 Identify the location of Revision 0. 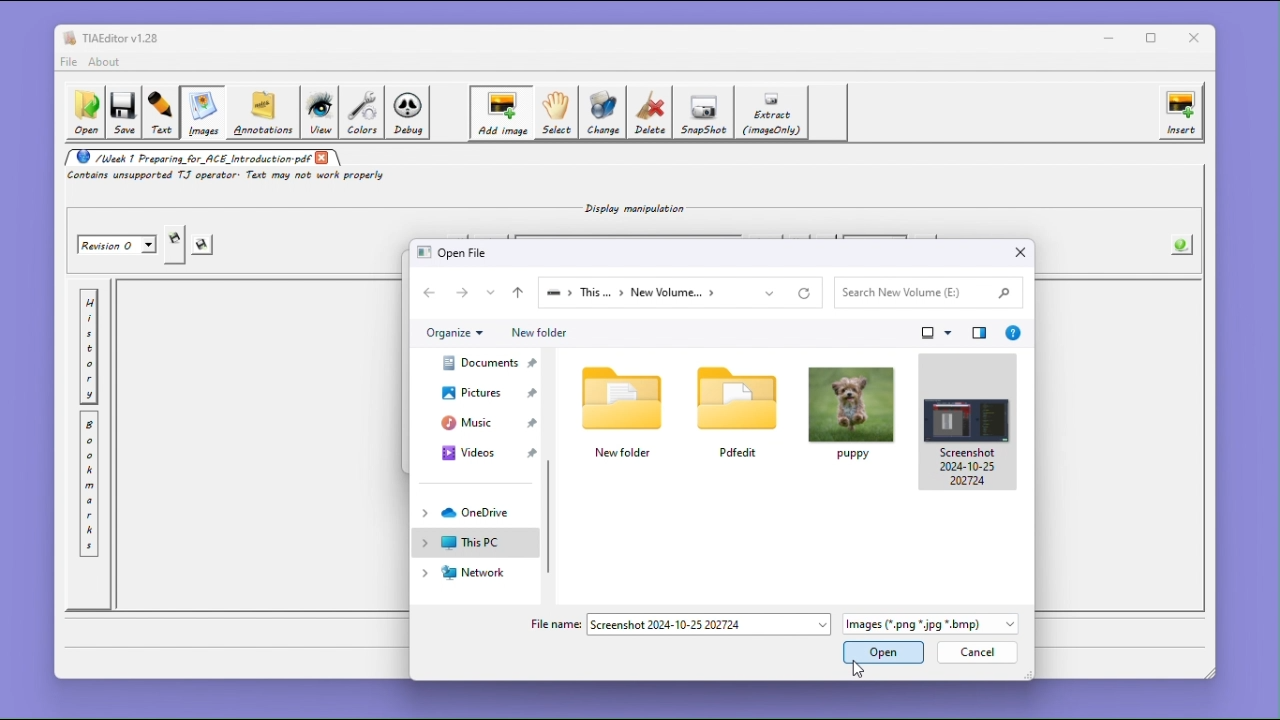
(118, 245).